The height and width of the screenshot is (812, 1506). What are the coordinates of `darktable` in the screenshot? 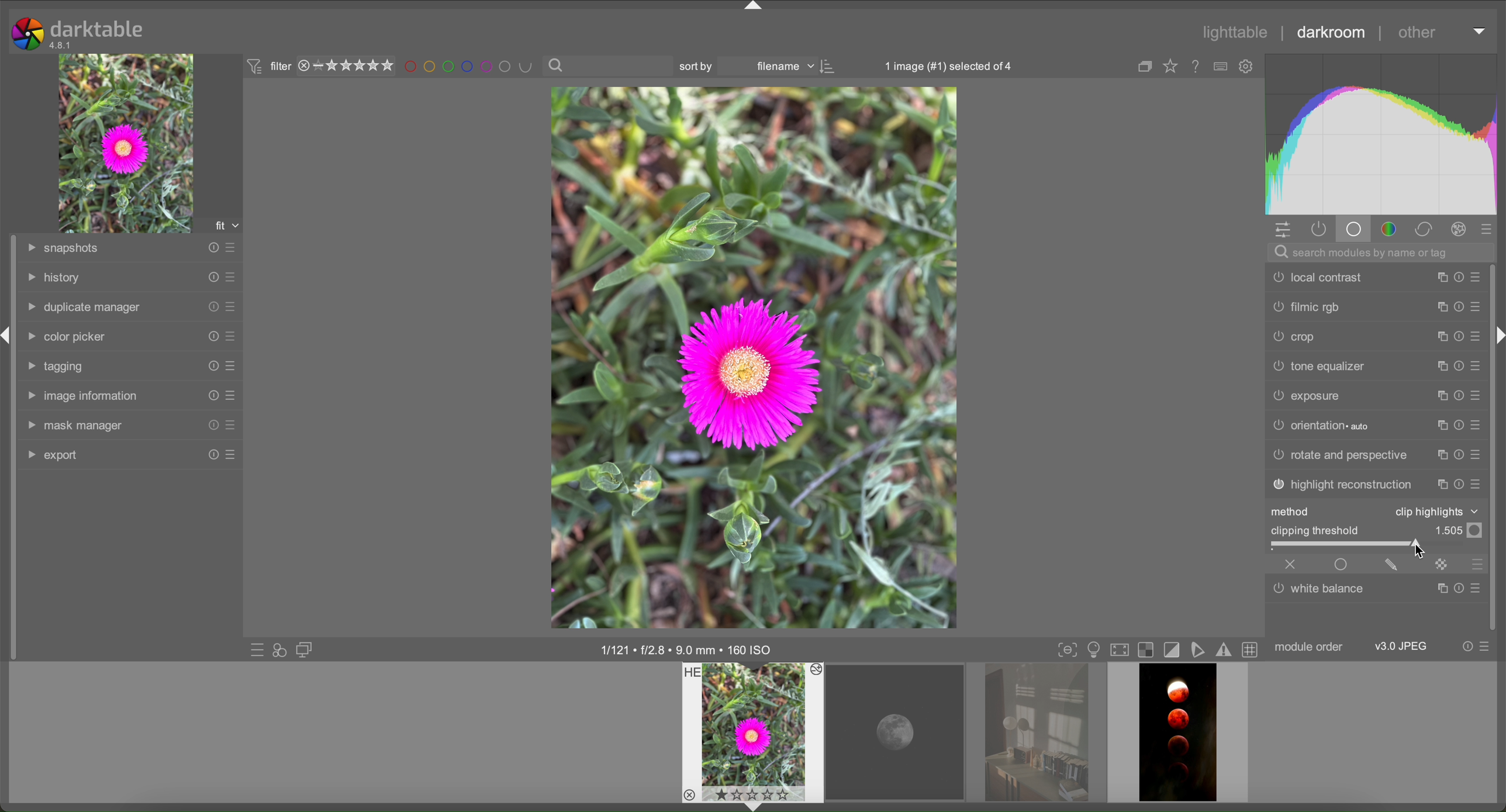 It's located at (98, 29).